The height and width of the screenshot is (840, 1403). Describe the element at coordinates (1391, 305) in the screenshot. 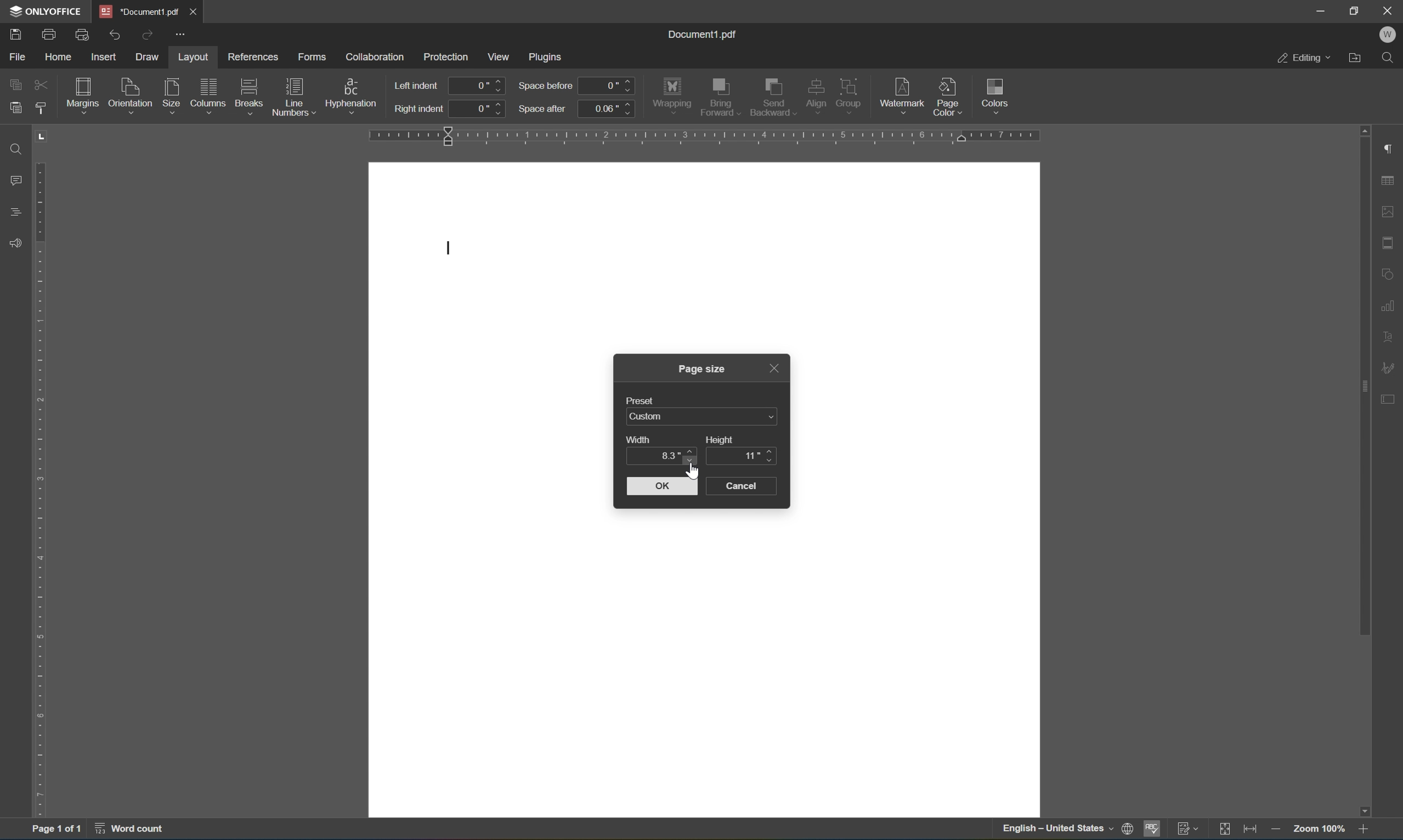

I see `chart settings` at that location.